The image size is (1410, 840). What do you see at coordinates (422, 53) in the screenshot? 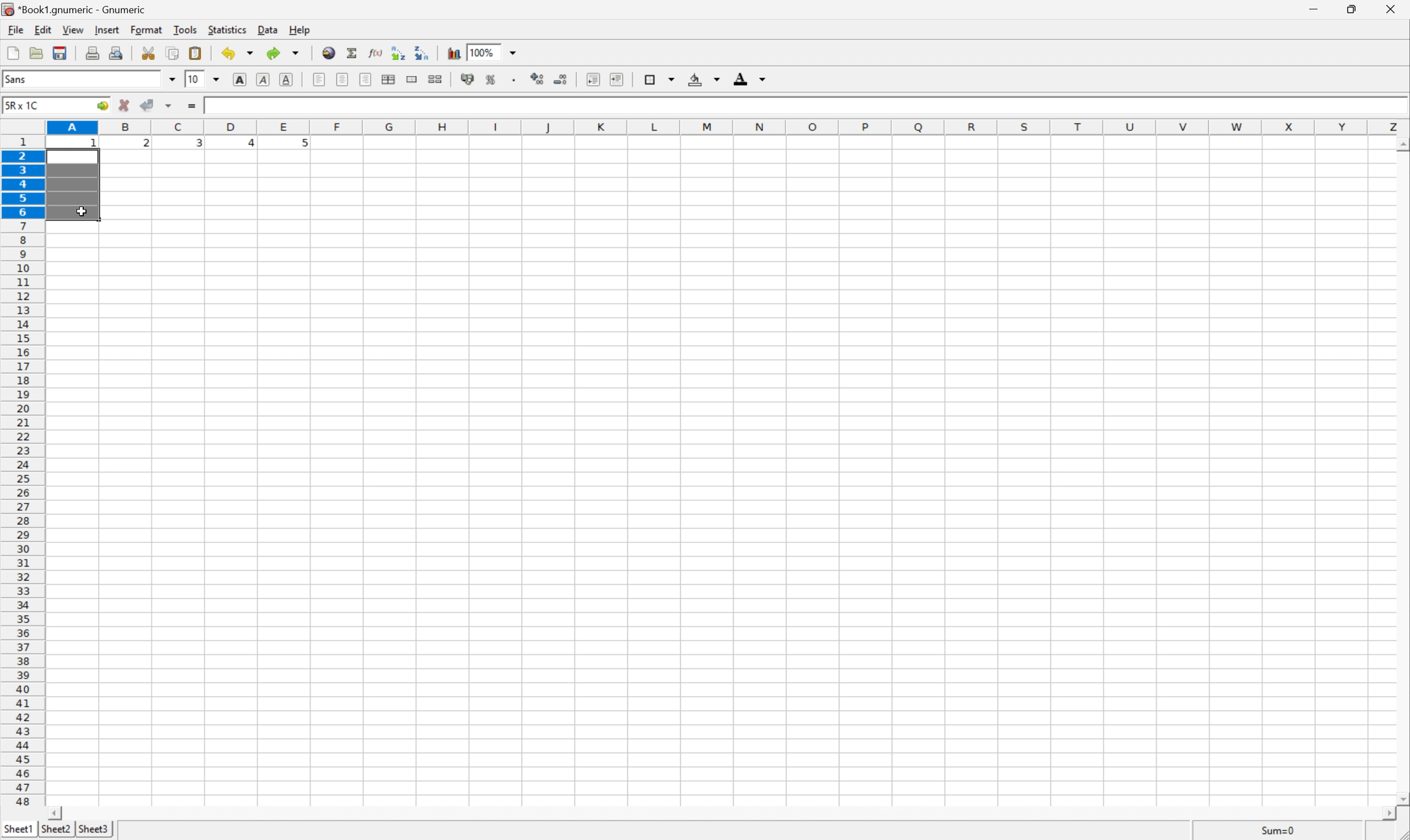
I see `Sort the selected region in descending order based on the first column selected` at bounding box center [422, 53].